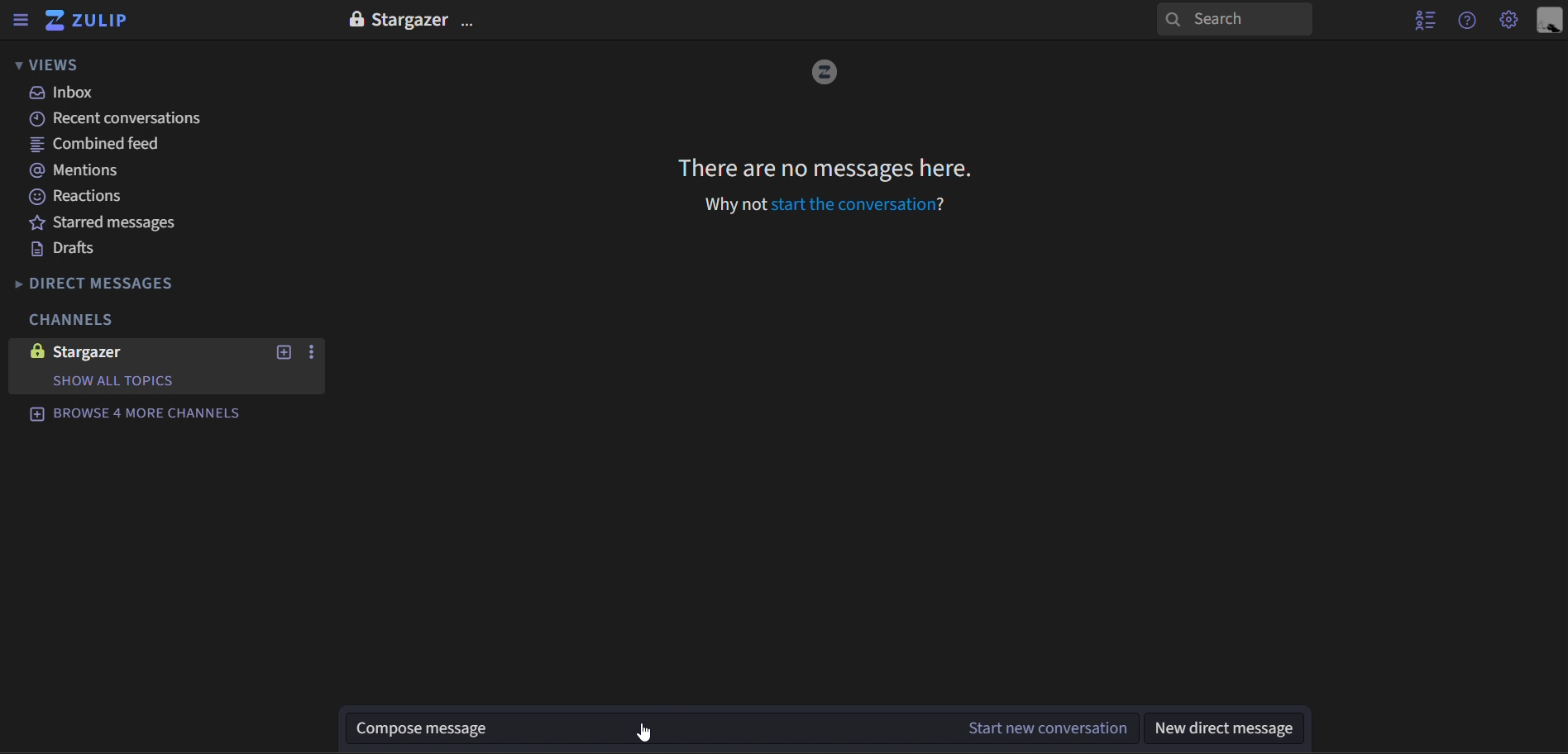 This screenshot has width=1568, height=754. What do you see at coordinates (131, 172) in the screenshot?
I see `mentions` at bounding box center [131, 172].